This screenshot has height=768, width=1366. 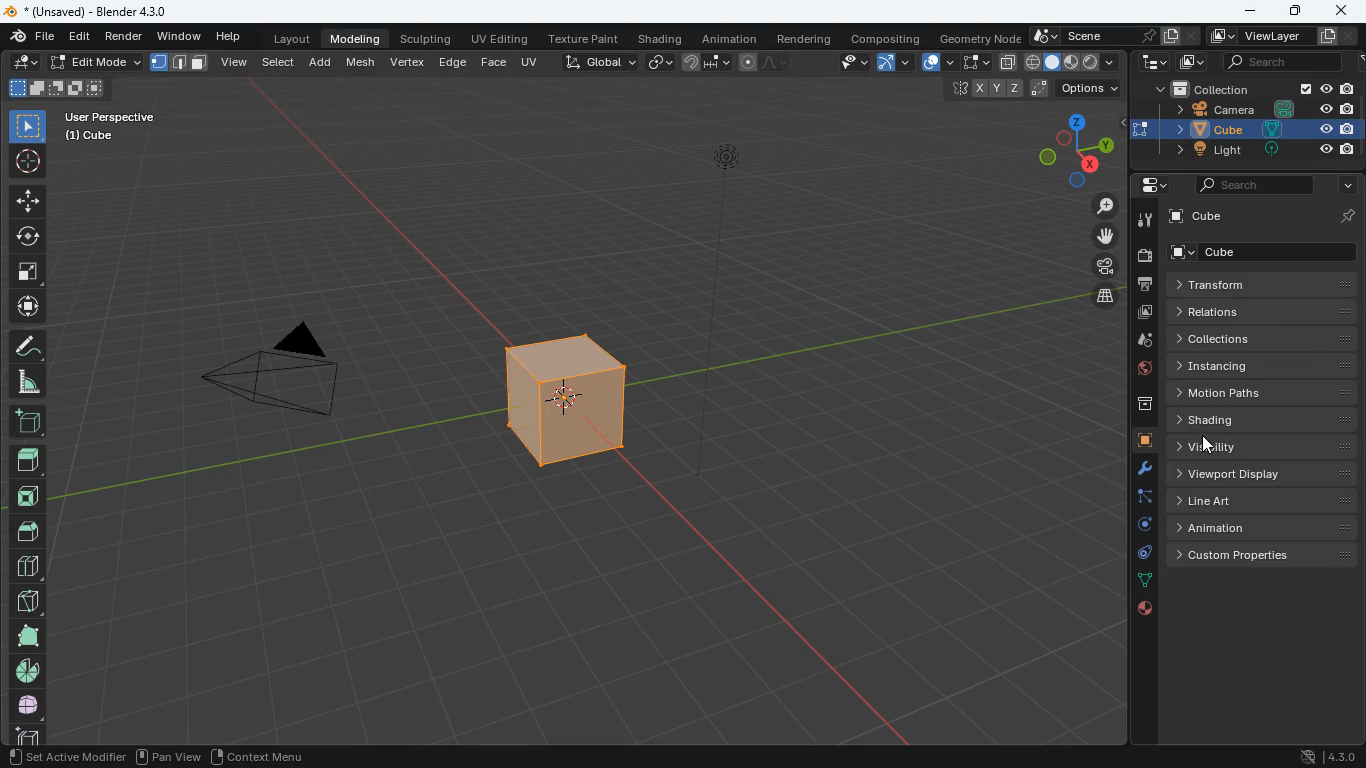 What do you see at coordinates (1264, 445) in the screenshot?
I see `visibility` at bounding box center [1264, 445].